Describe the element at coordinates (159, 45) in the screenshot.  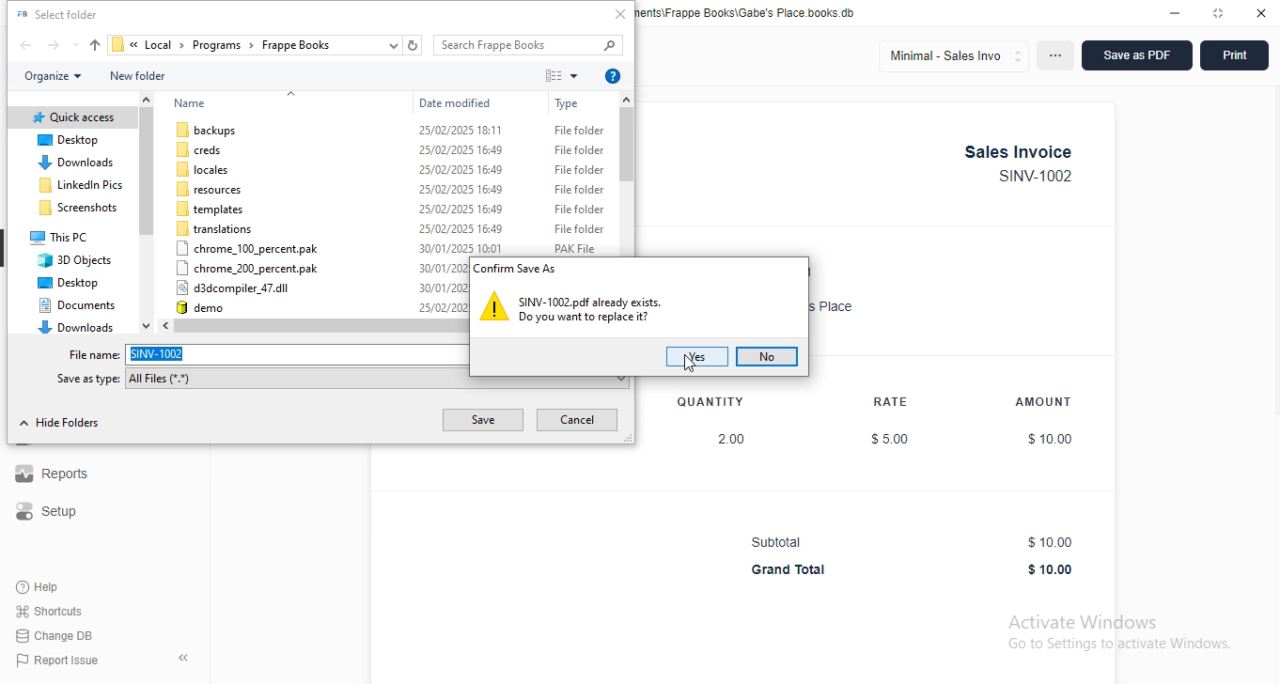
I see `local` at that location.